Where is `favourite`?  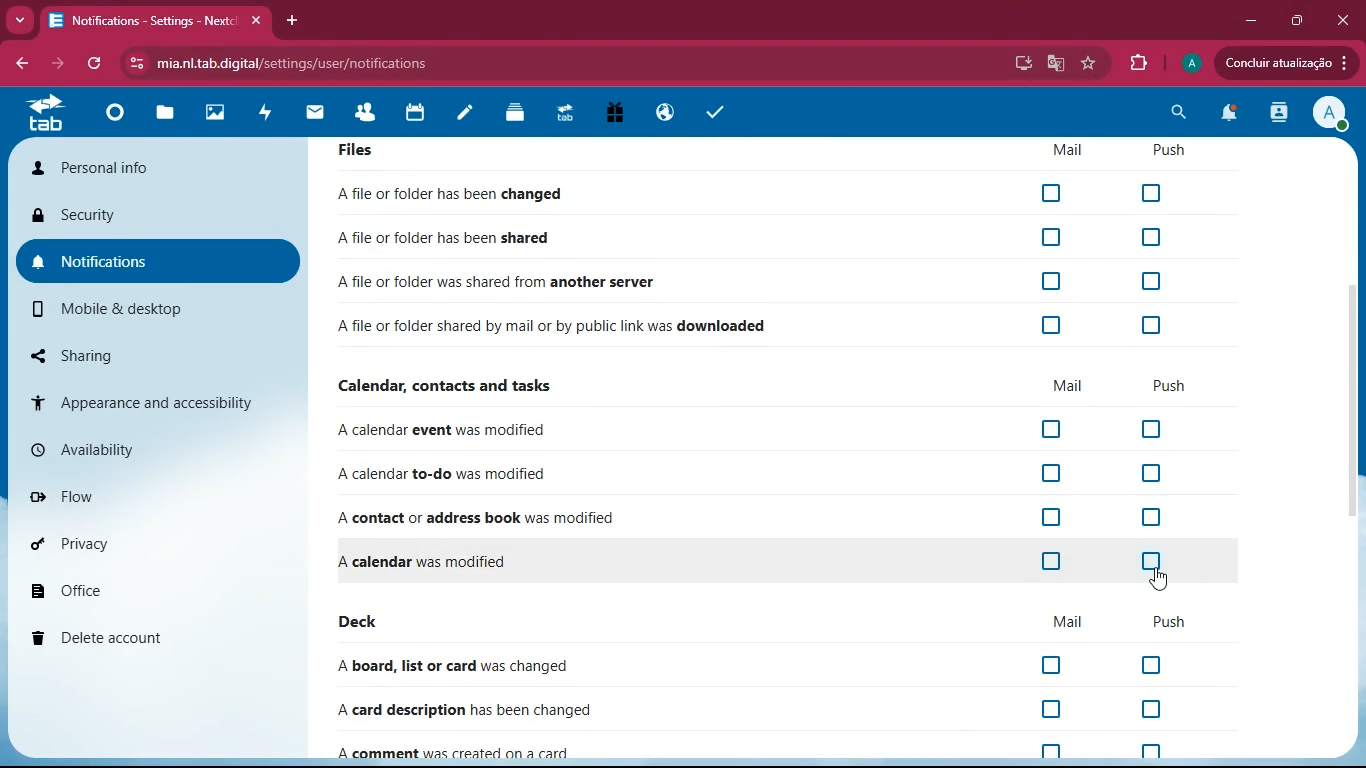
favourite is located at coordinates (1092, 65).